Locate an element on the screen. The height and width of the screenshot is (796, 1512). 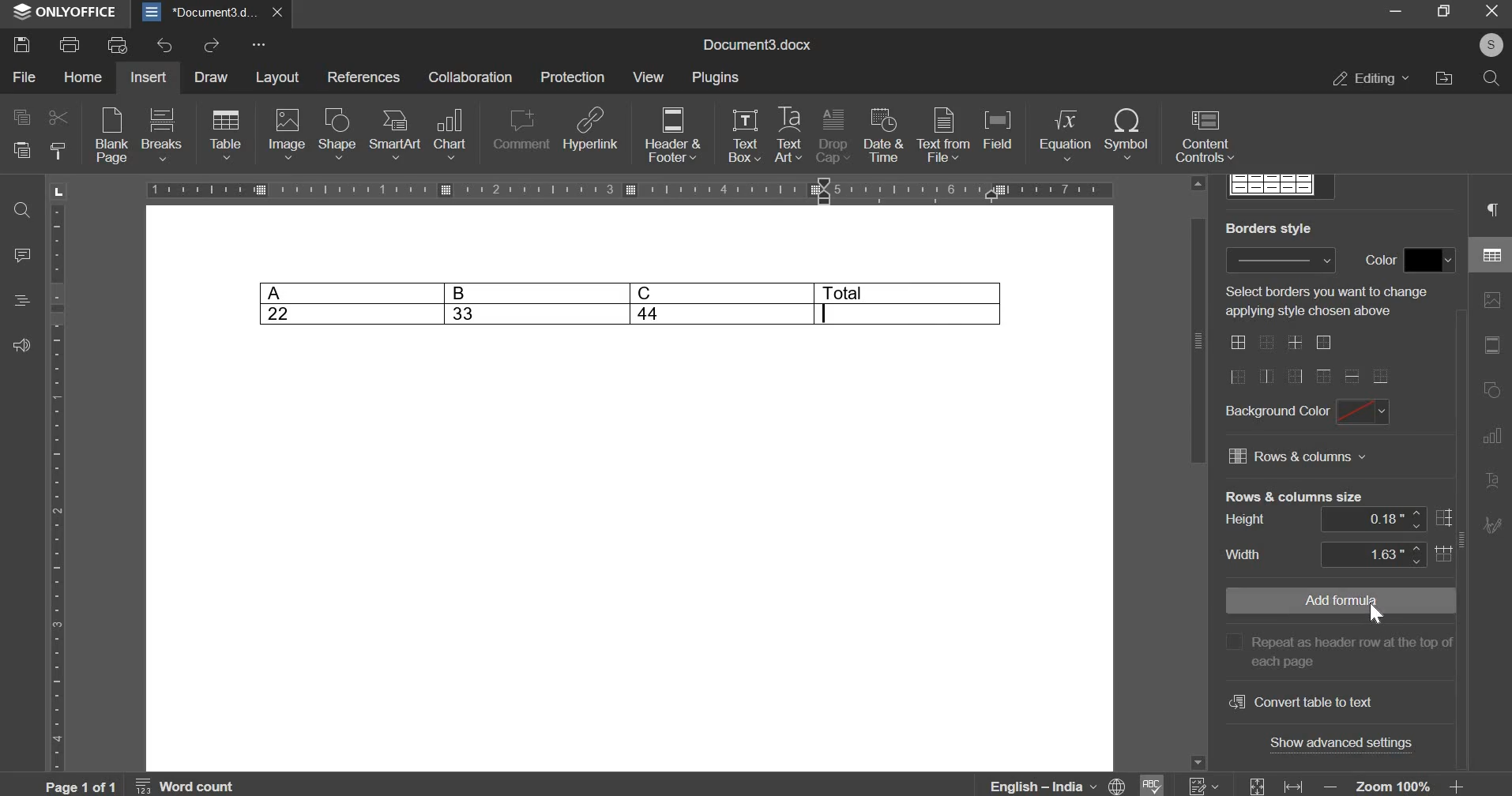
field is located at coordinates (1000, 134).